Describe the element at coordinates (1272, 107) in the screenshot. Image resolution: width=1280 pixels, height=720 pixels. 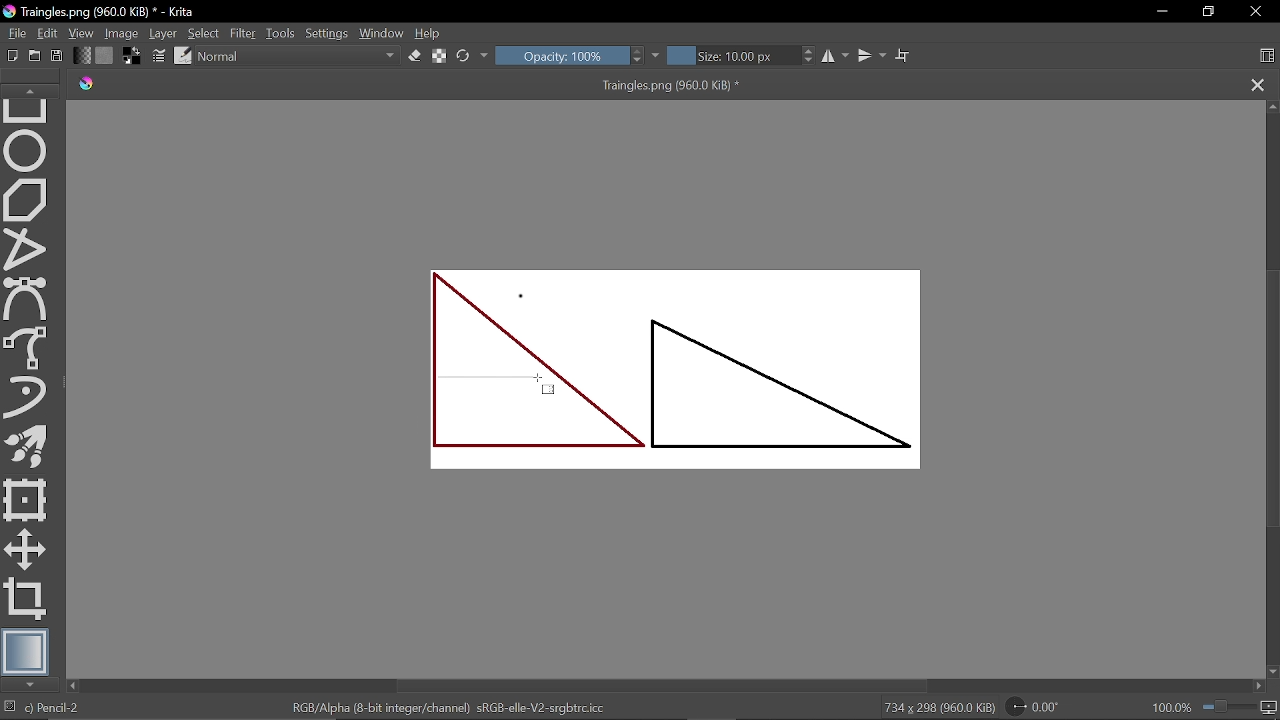
I see `Move up` at that location.